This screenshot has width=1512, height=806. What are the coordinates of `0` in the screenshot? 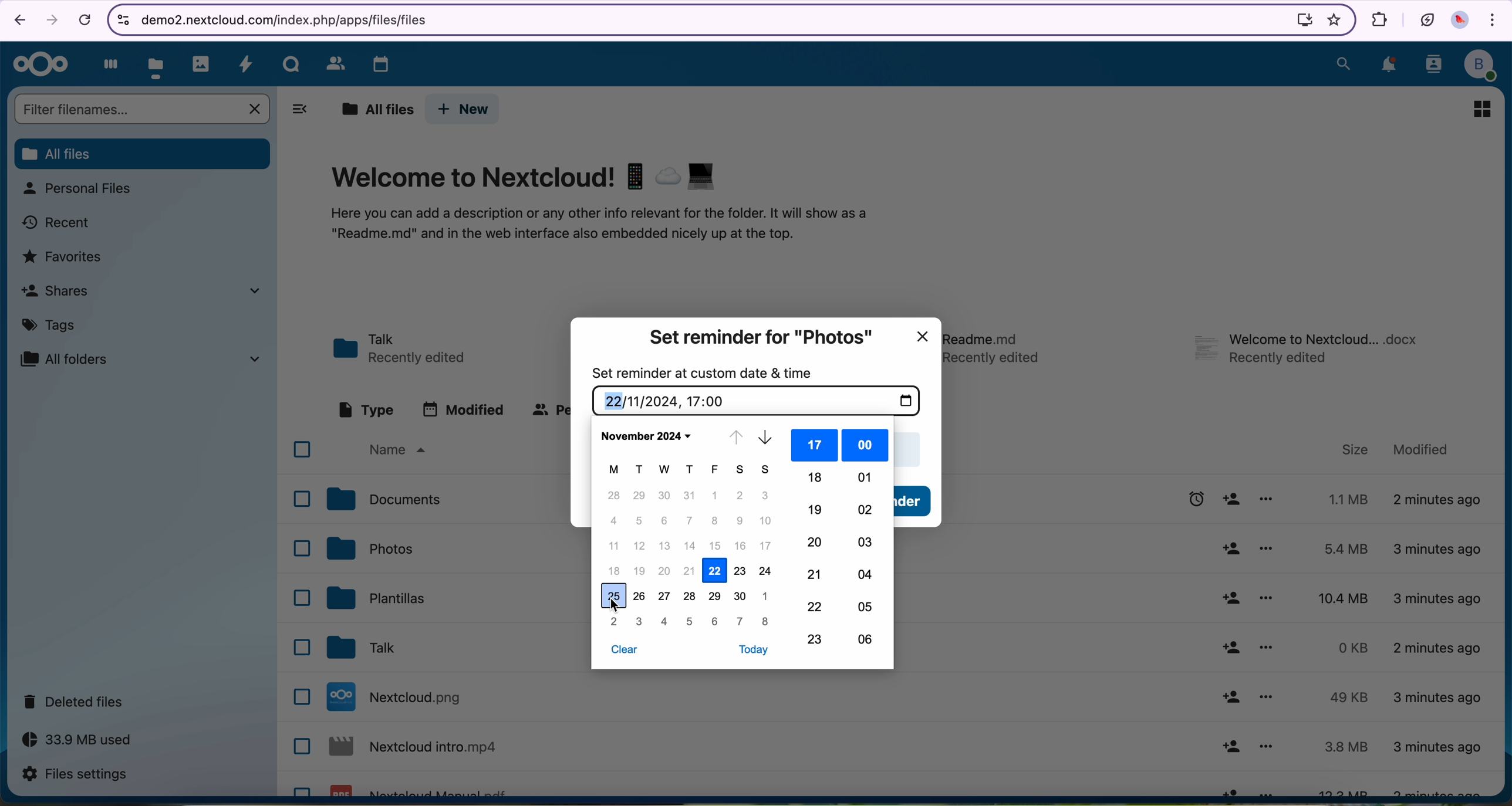 It's located at (1344, 648).